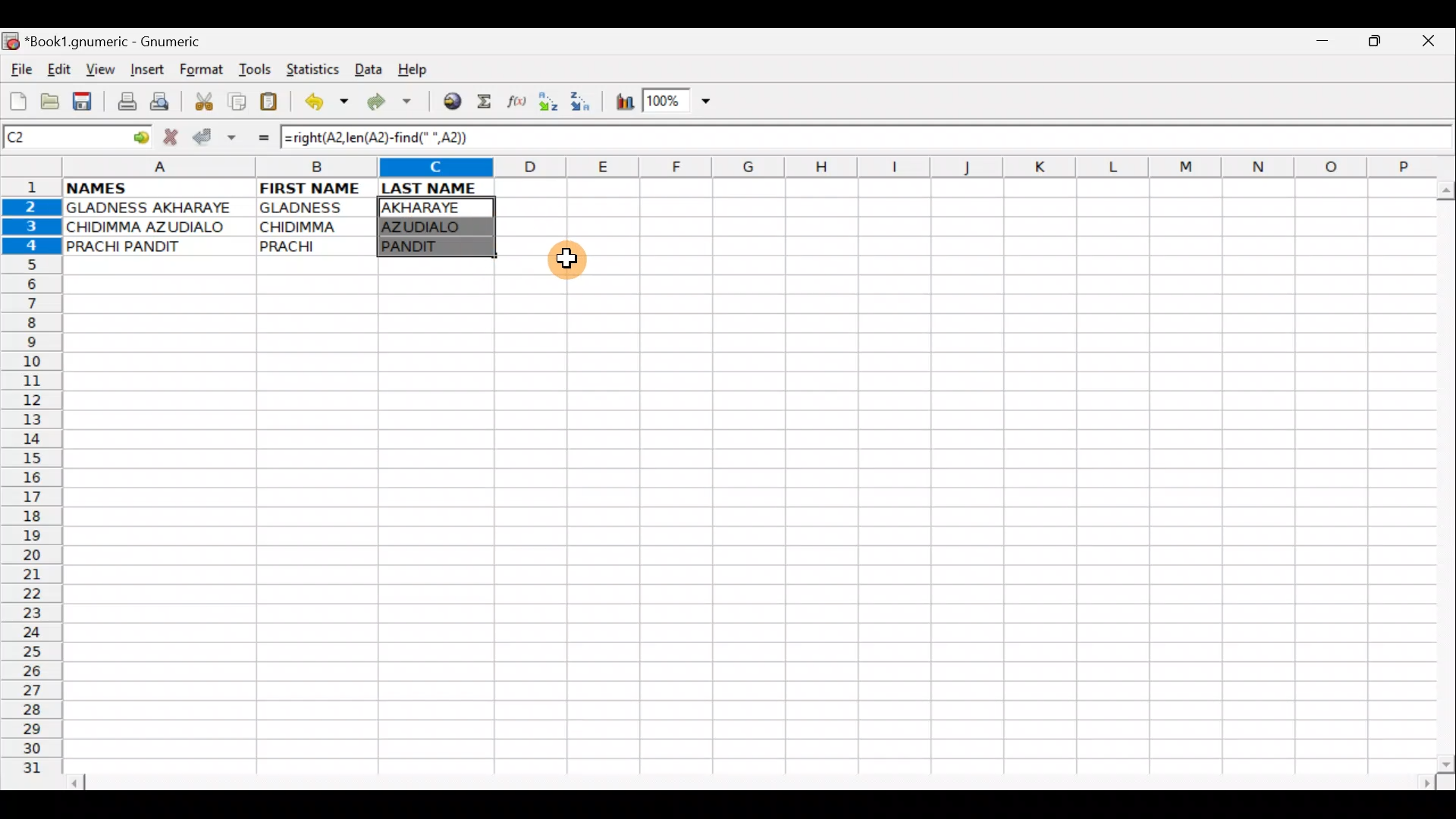  I want to click on Cut selection, so click(203, 99).